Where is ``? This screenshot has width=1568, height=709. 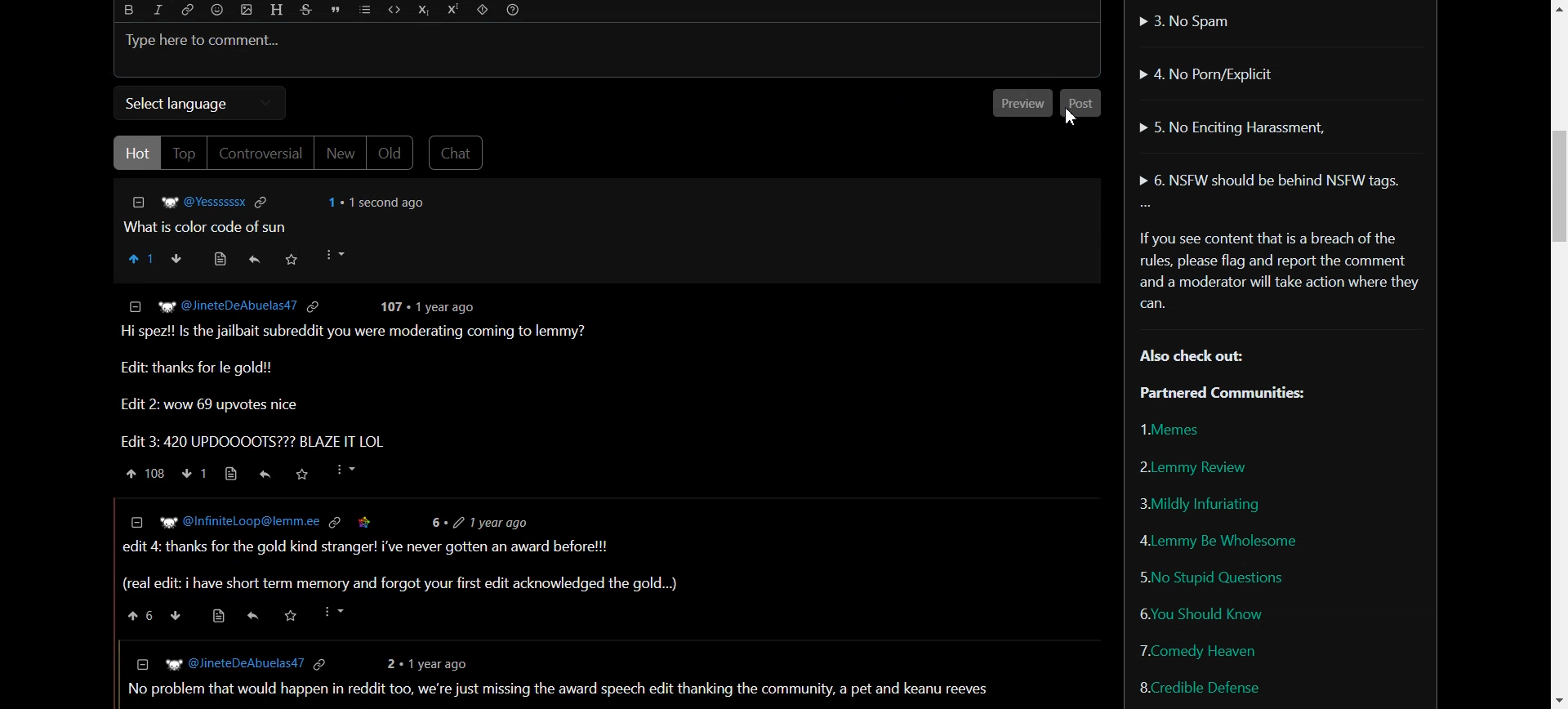
 is located at coordinates (139, 201).